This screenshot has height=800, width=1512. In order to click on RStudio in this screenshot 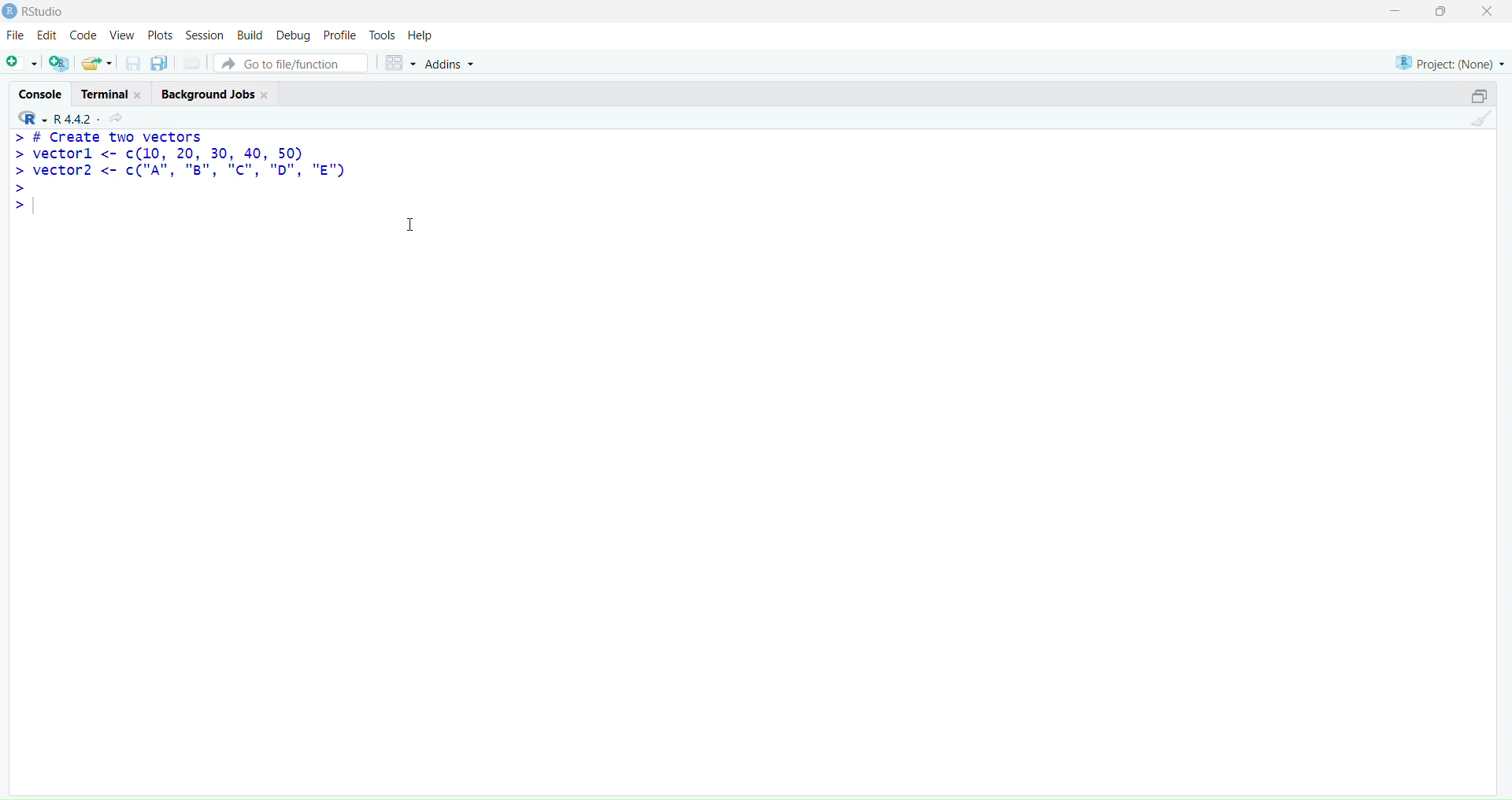, I will do `click(43, 12)`.